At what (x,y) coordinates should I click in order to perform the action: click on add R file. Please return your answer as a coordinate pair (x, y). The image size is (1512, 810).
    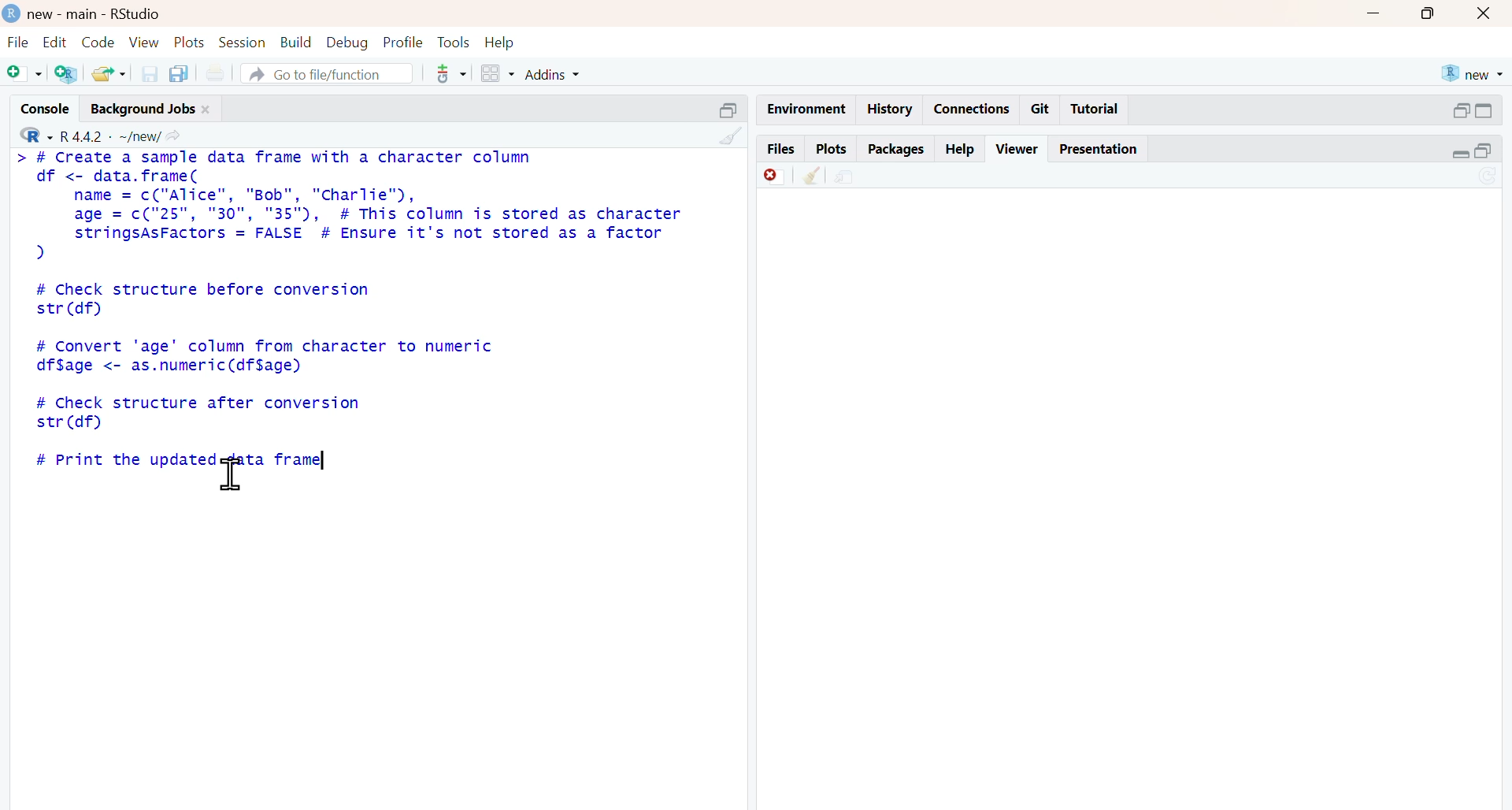
    Looking at the image, I should click on (66, 74).